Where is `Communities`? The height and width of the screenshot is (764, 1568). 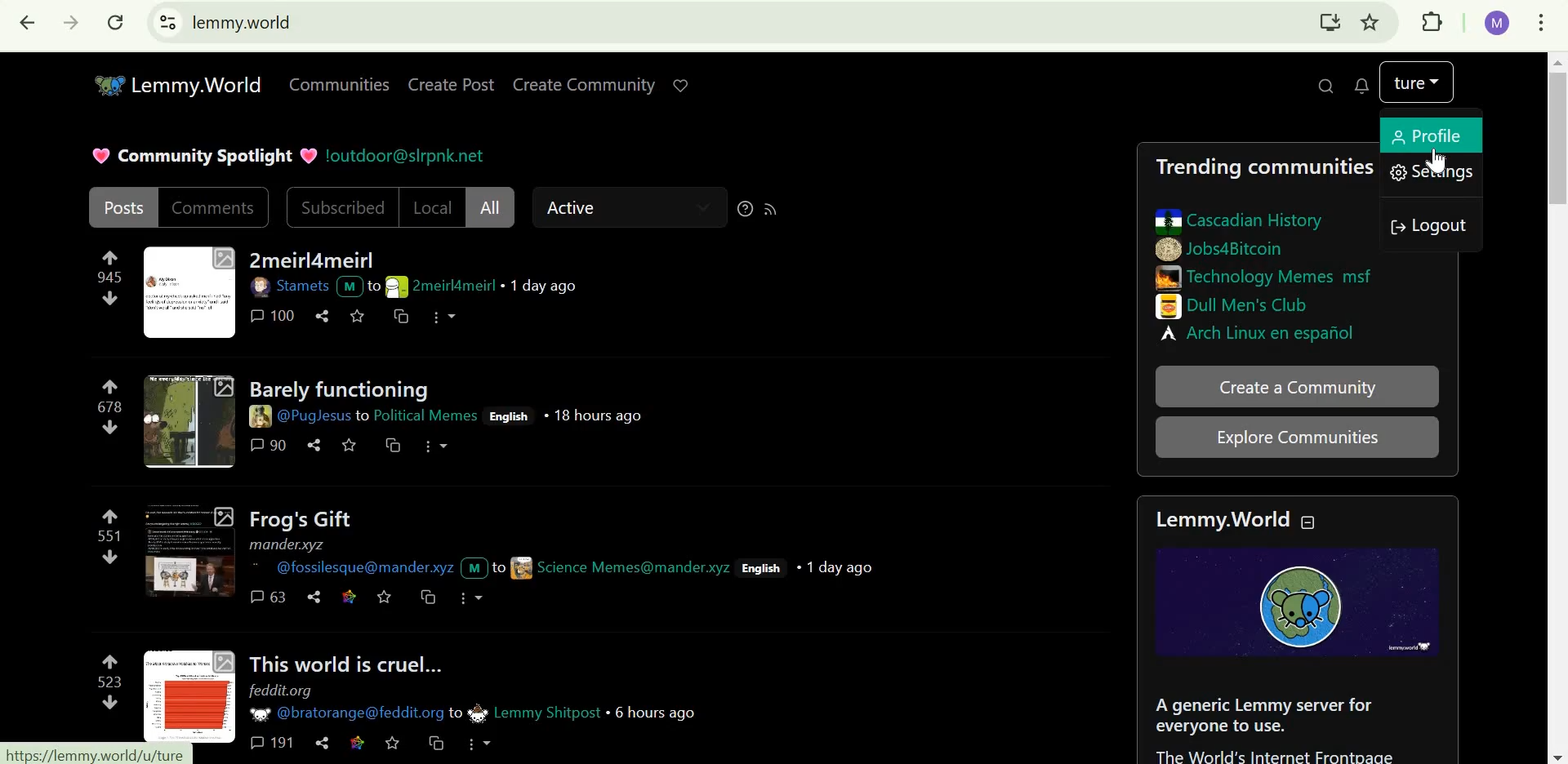
Communities is located at coordinates (335, 83).